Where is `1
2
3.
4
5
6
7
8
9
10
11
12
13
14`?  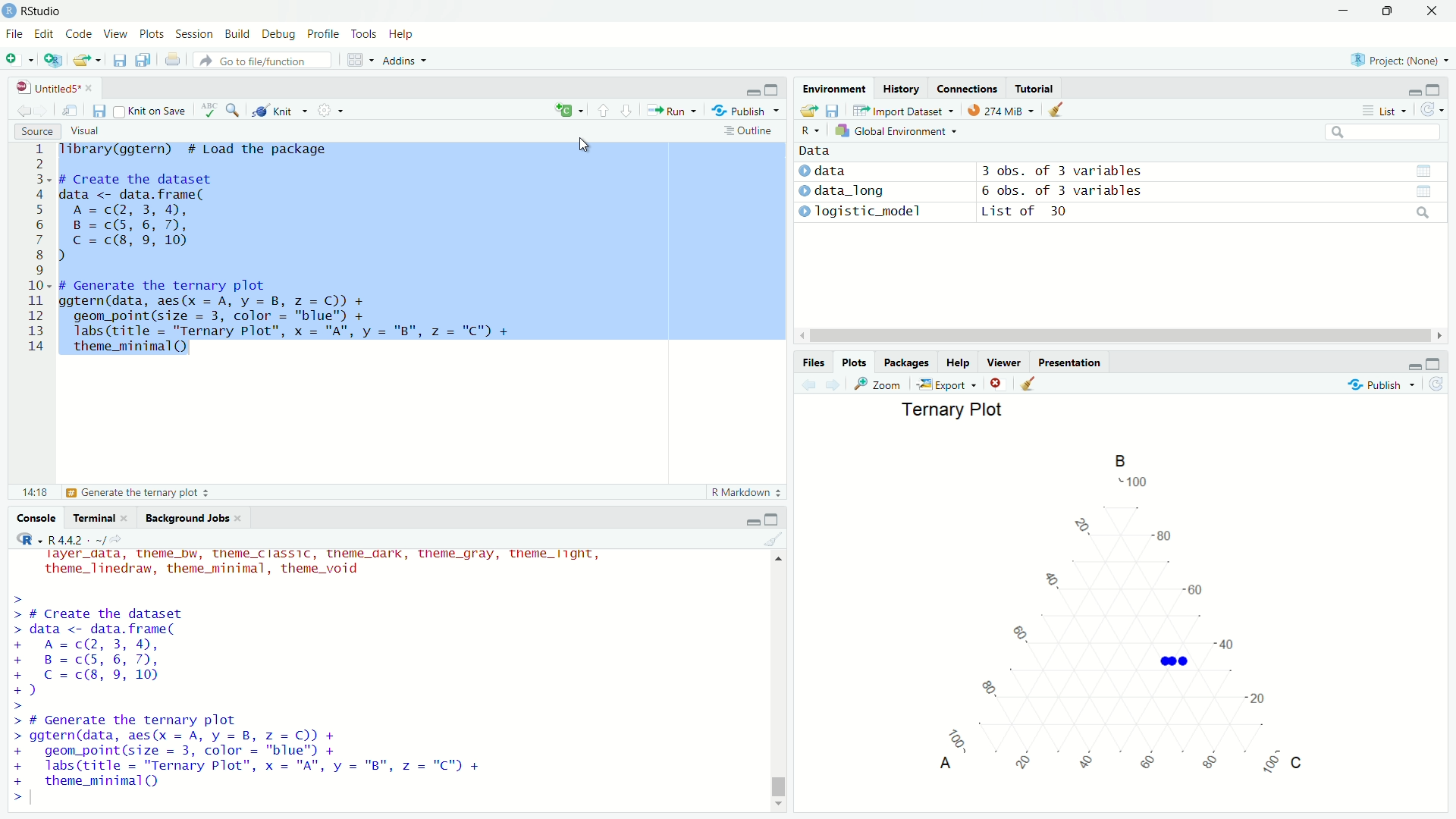
1
2
3.
4
5
6
7
8
9
10
11
12
13
14 is located at coordinates (39, 251).